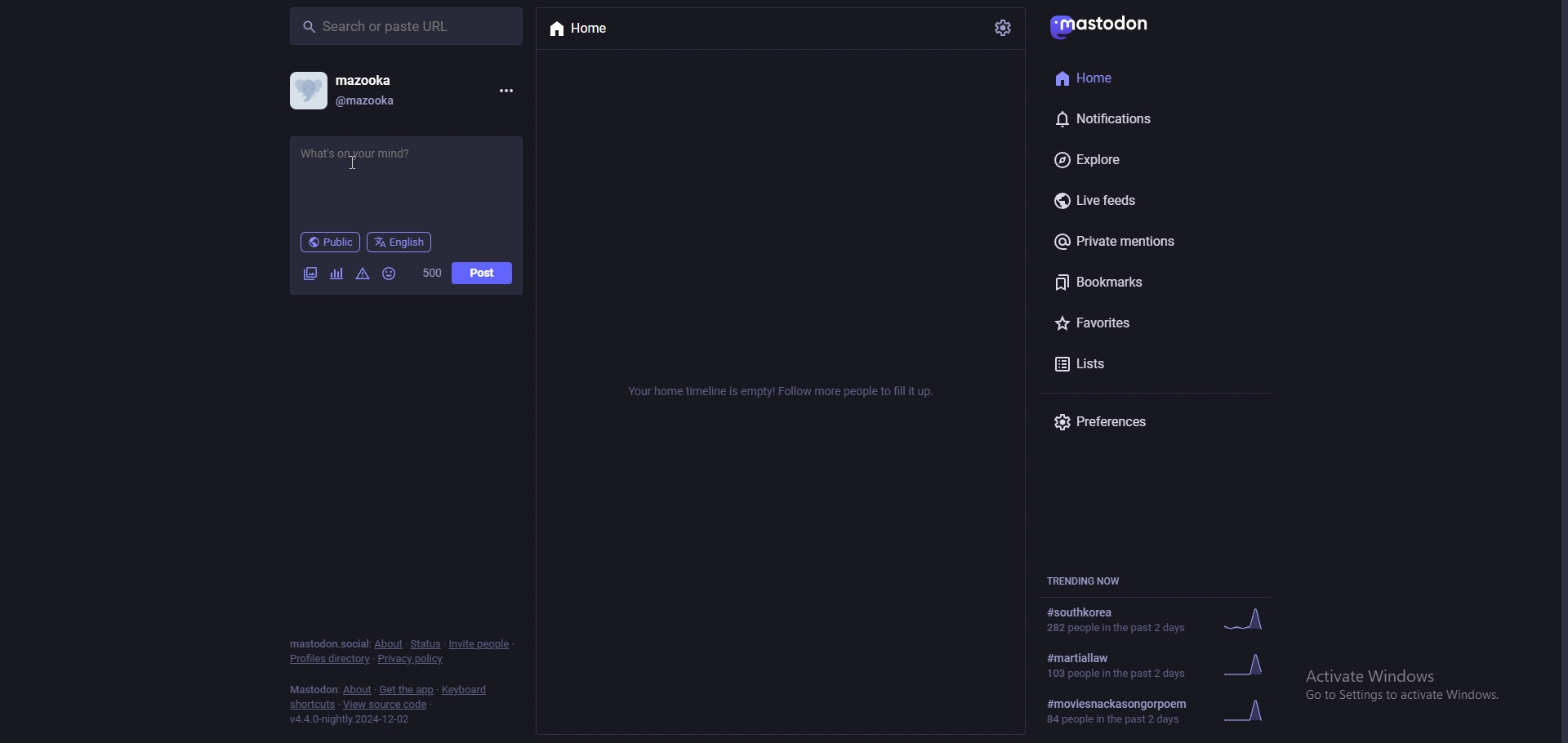 The height and width of the screenshot is (743, 1568). I want to click on Cursor, so click(361, 174).